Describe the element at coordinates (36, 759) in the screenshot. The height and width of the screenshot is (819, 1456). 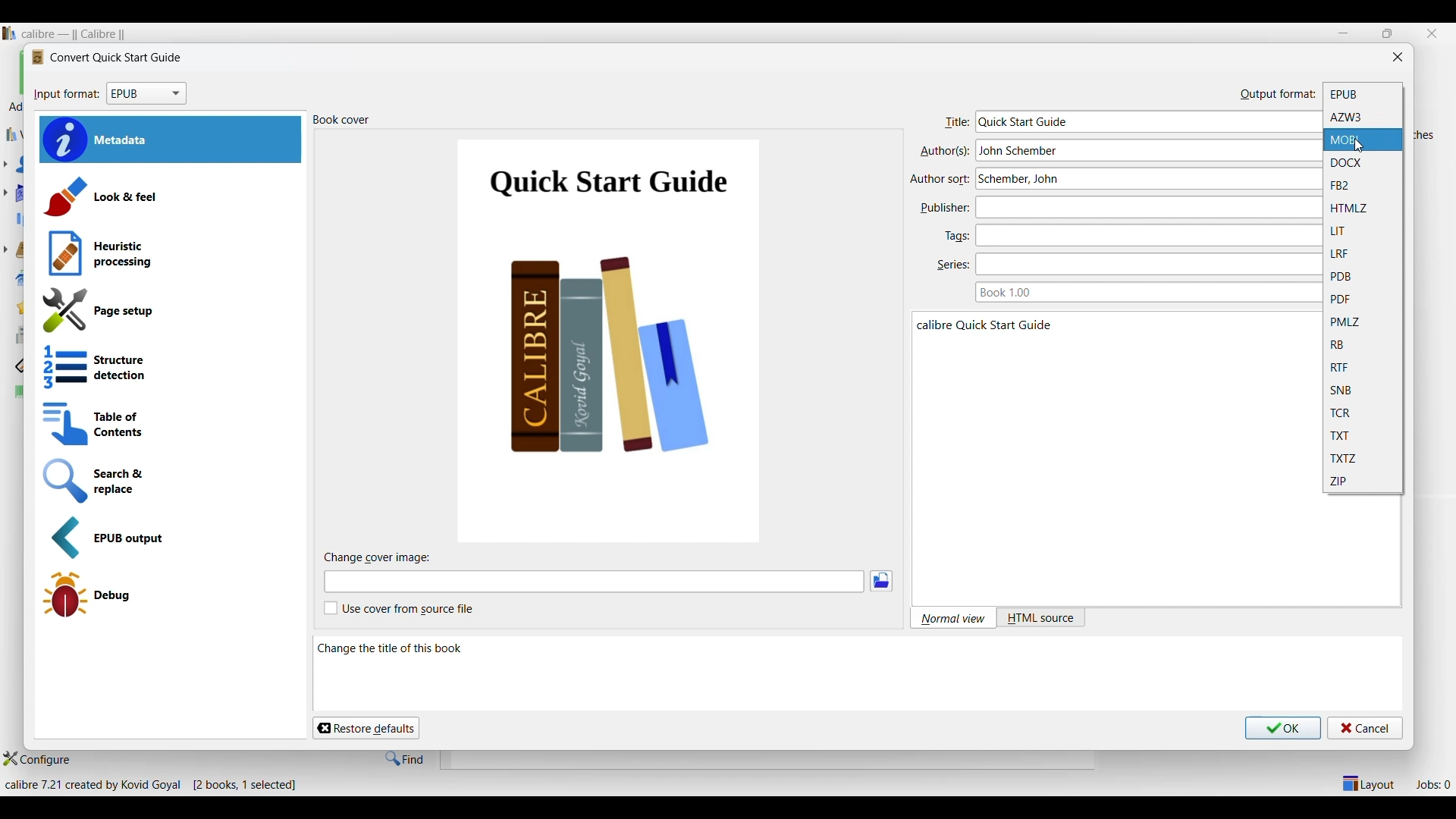
I see `Configure` at that location.